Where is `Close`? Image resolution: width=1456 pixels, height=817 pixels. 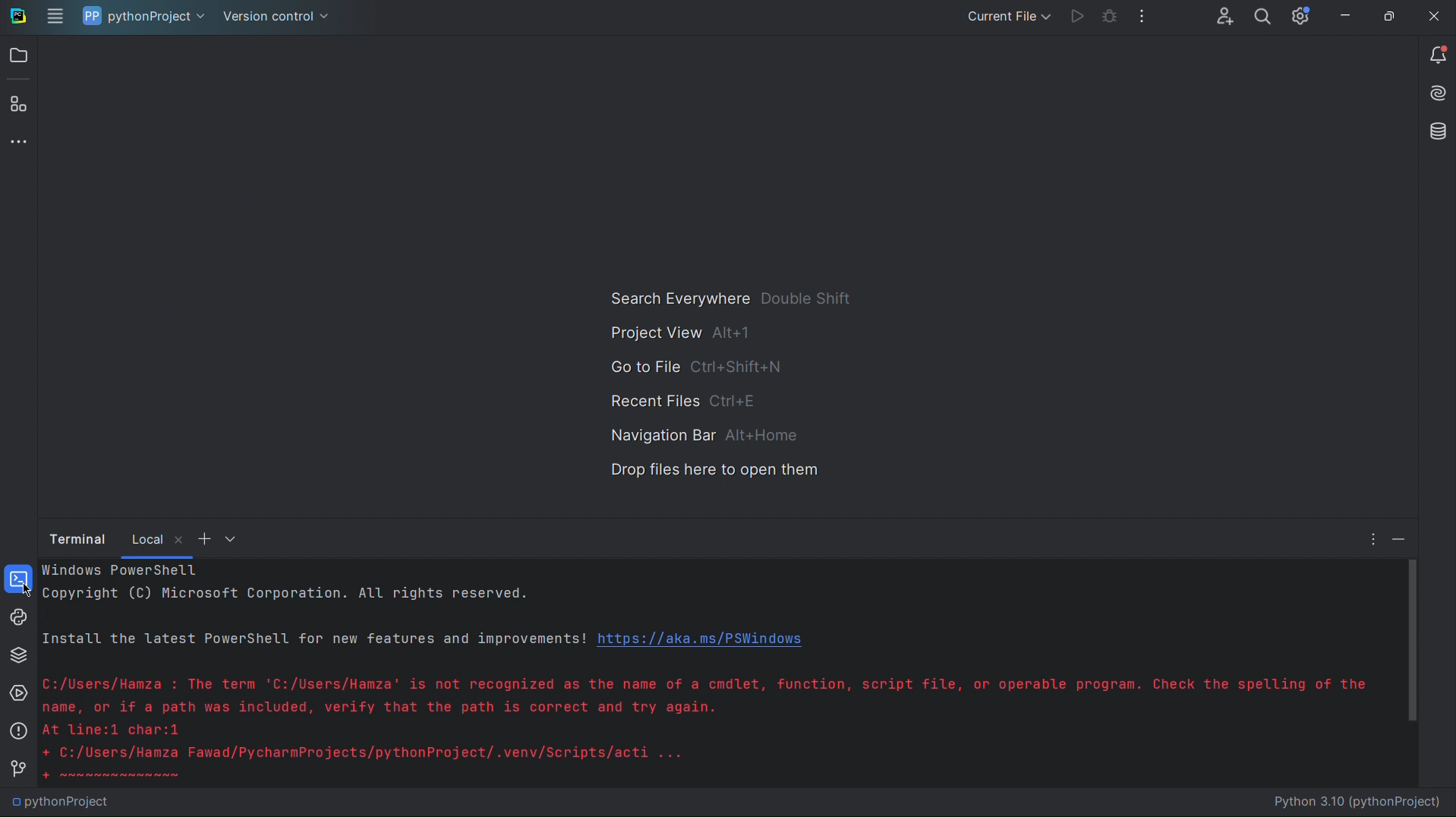
Close is located at coordinates (1434, 18).